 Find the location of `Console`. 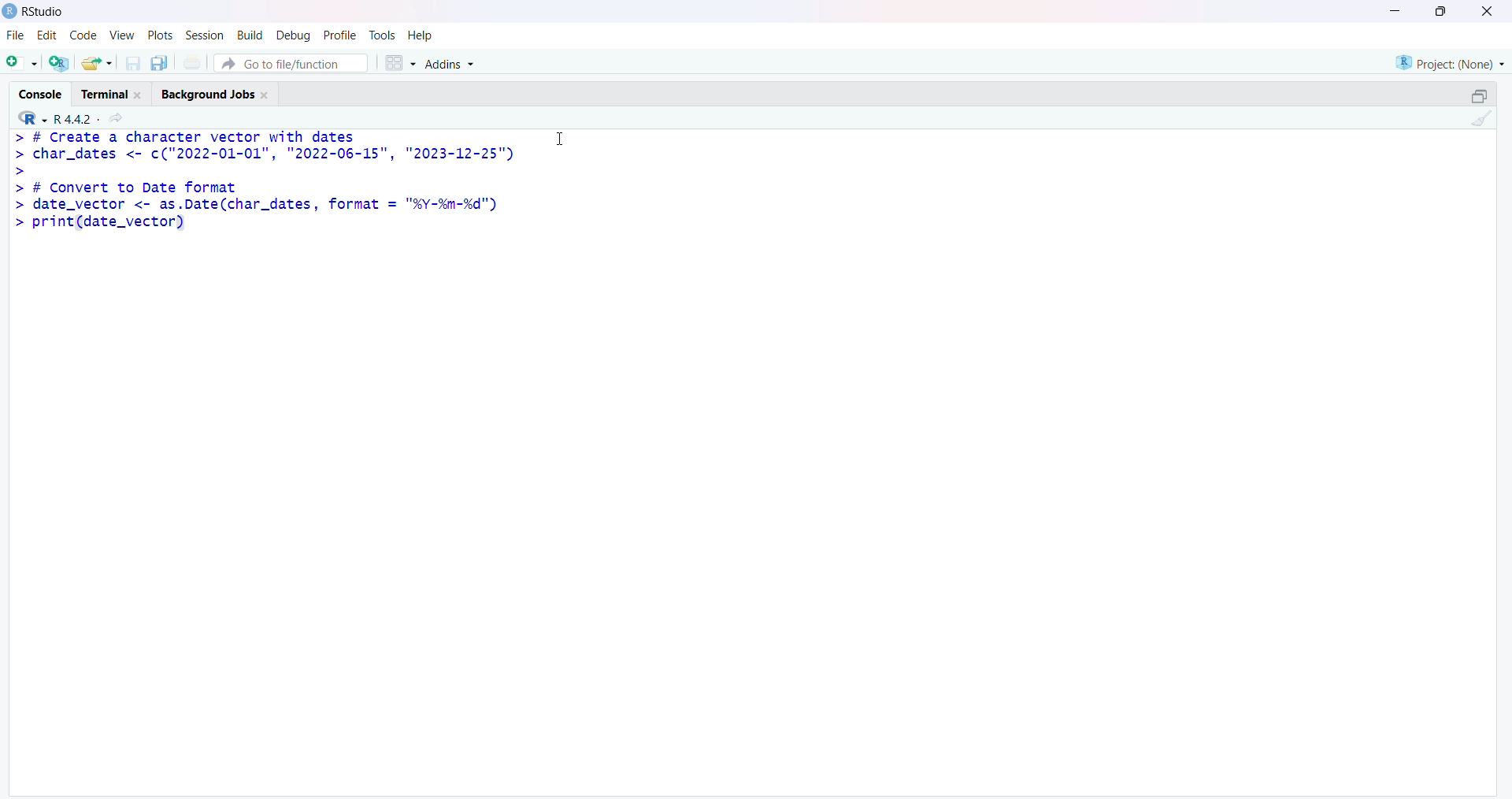

Console is located at coordinates (42, 91).